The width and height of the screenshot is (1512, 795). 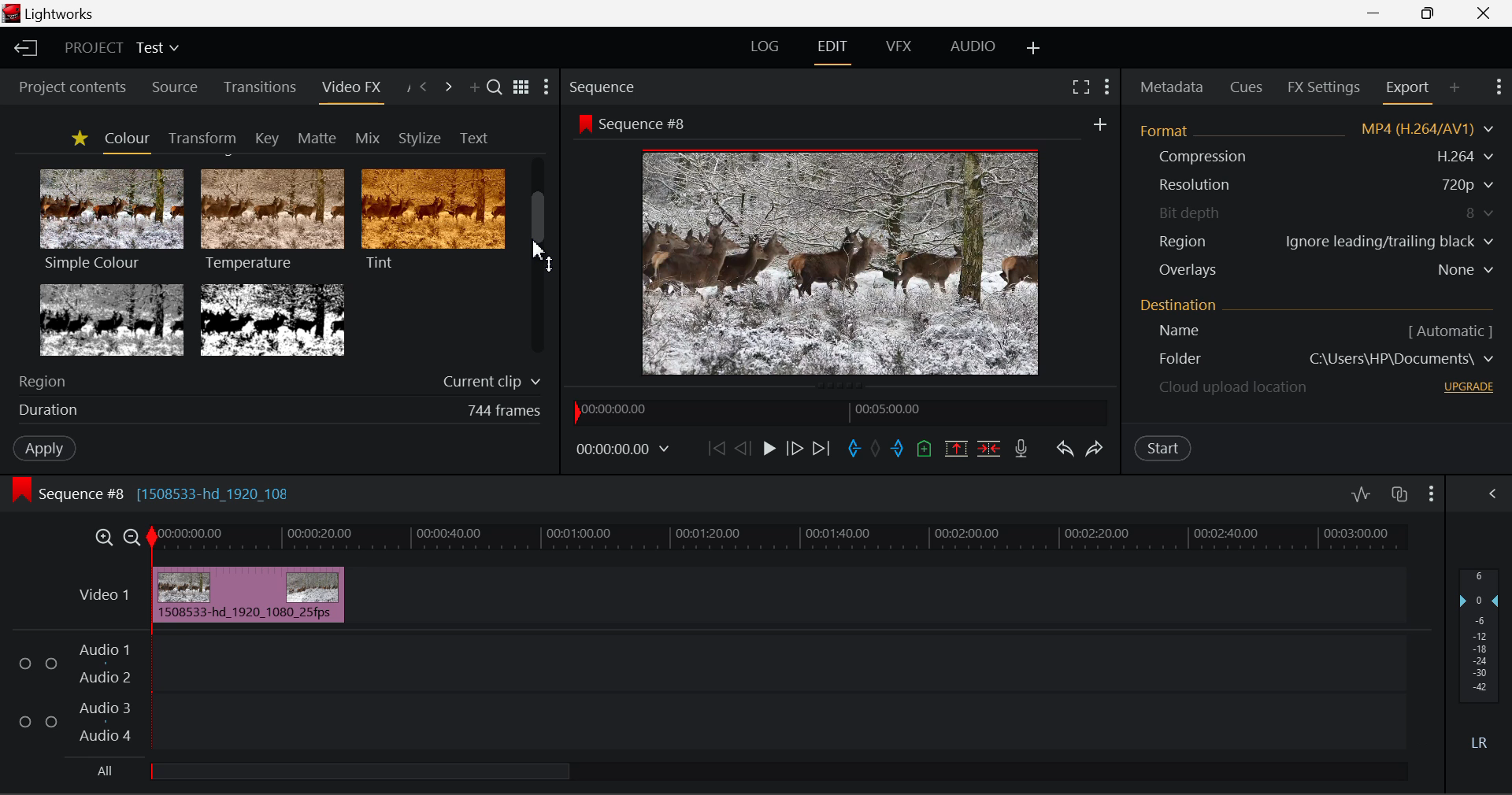 I want to click on Lightworks, so click(x=63, y=14).